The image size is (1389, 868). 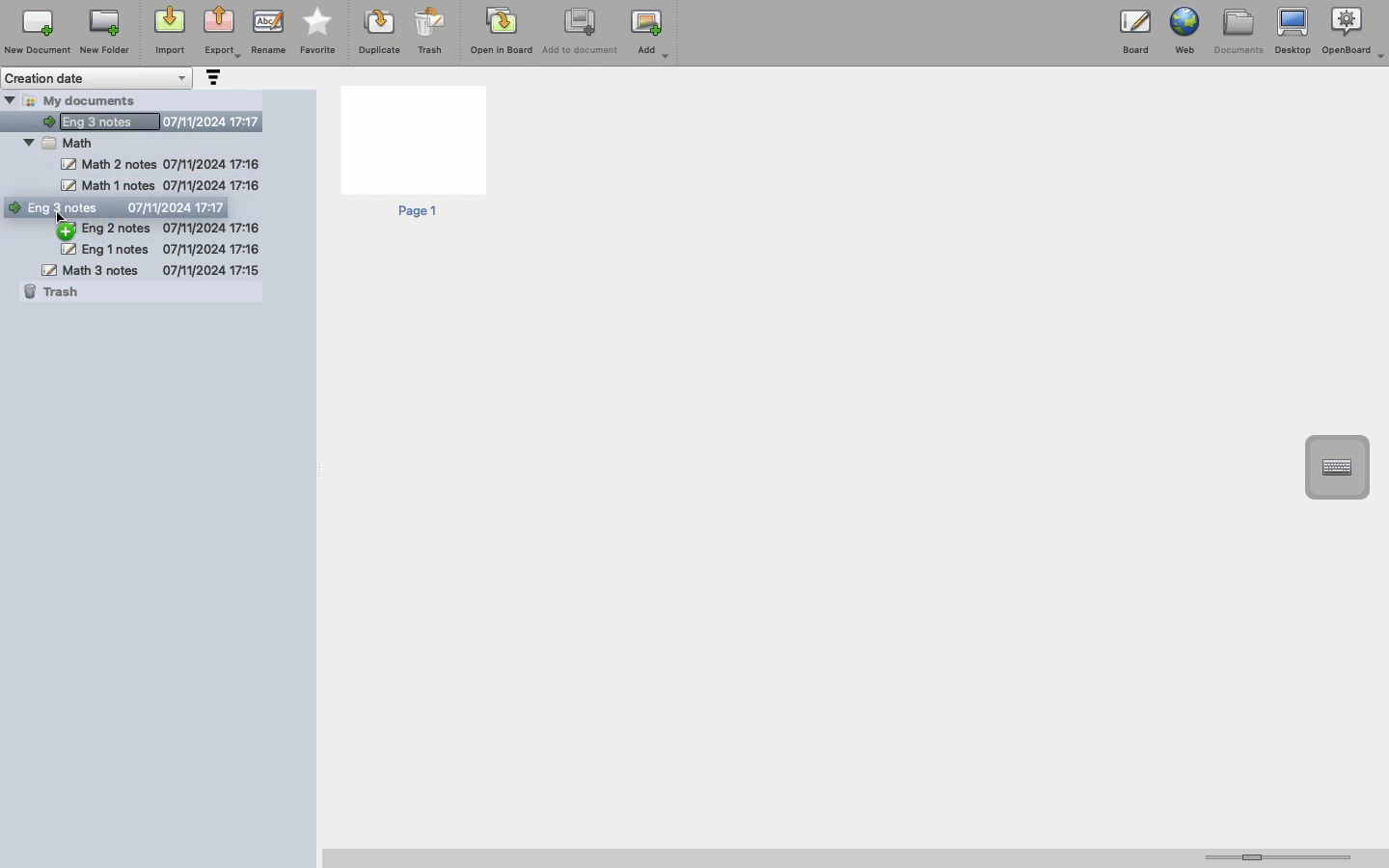 What do you see at coordinates (10, 99) in the screenshot?
I see `Hide` at bounding box center [10, 99].